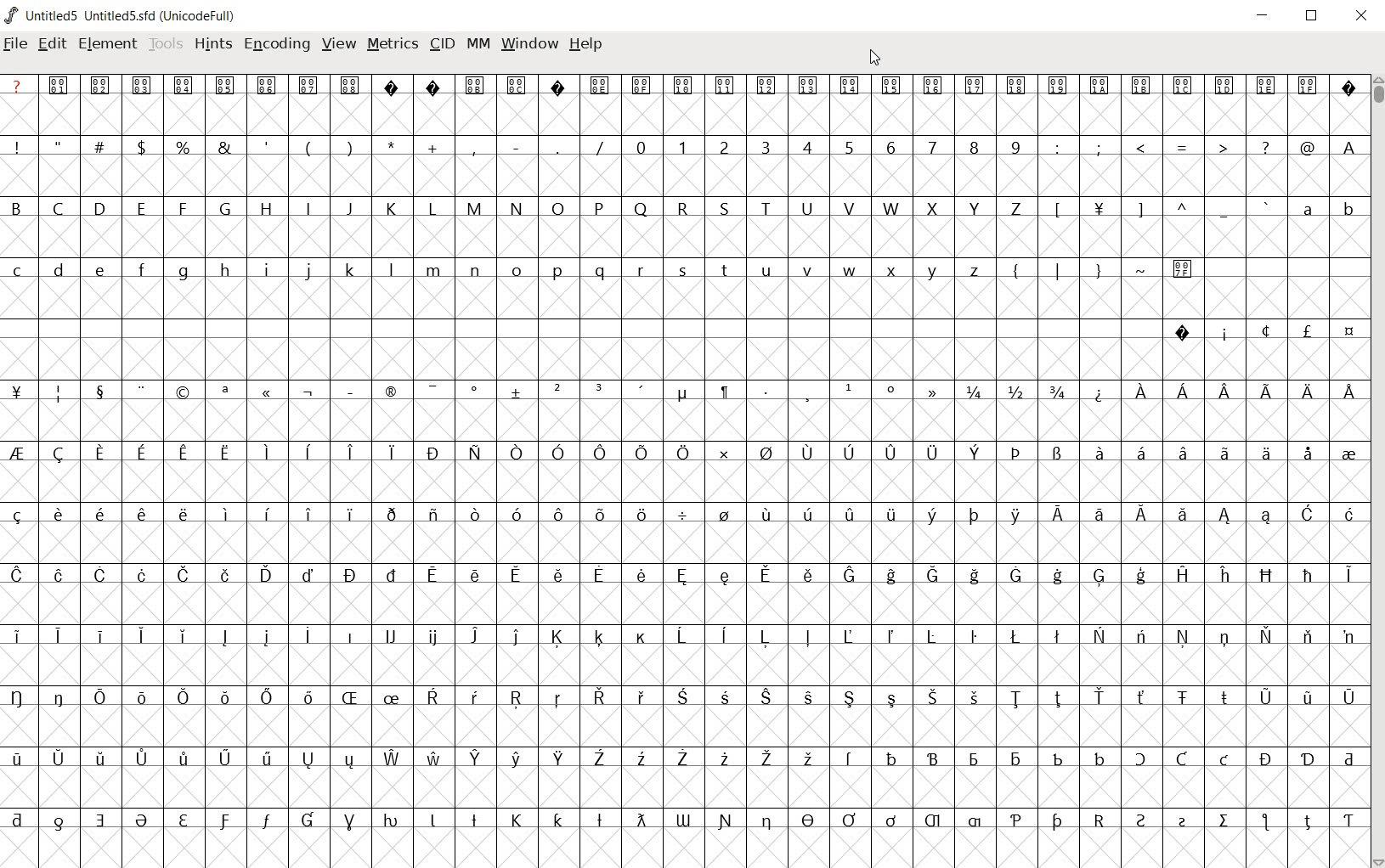  I want to click on Symbol, so click(432, 821).